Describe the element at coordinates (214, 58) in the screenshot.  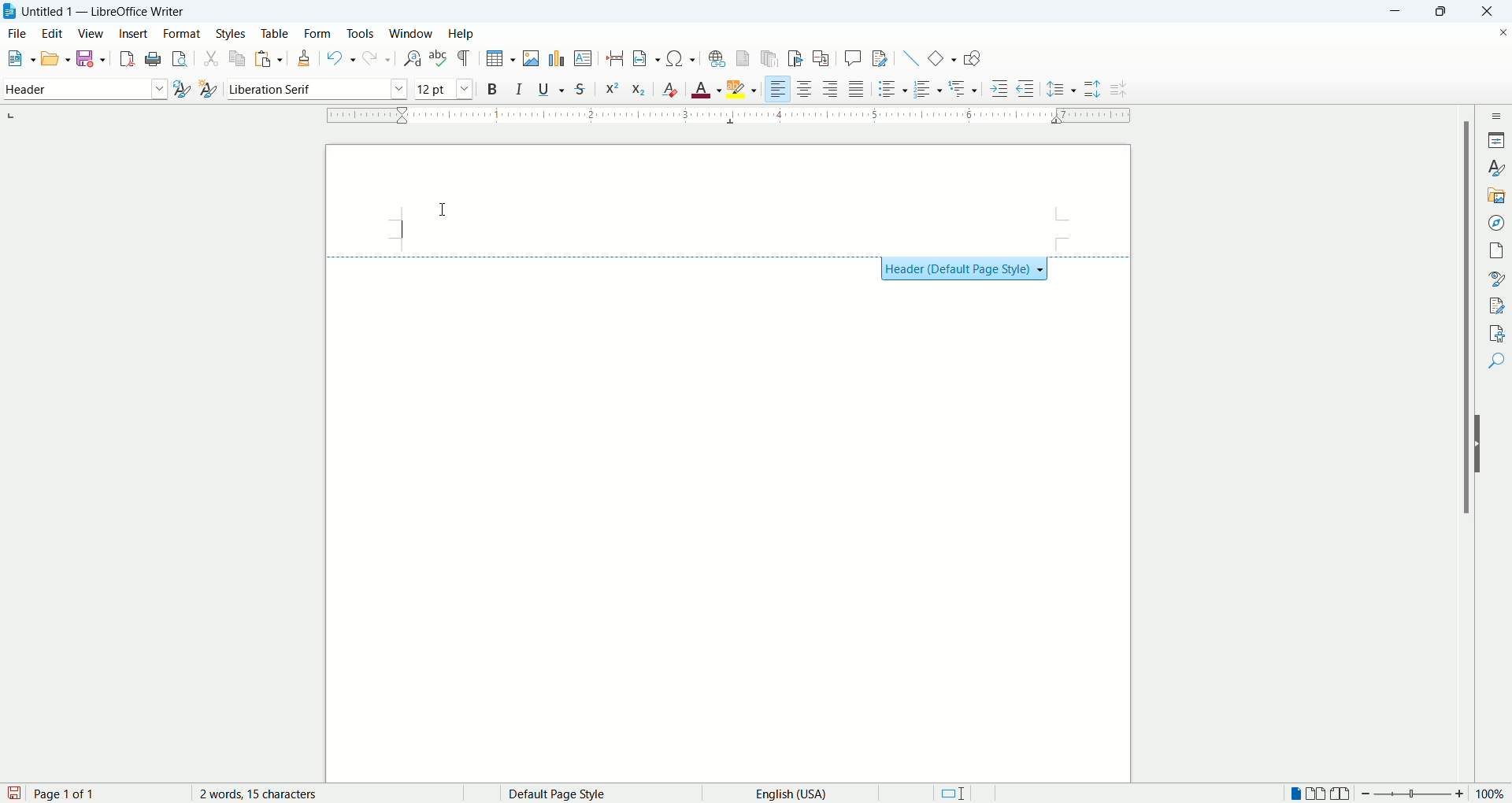
I see `cut` at that location.